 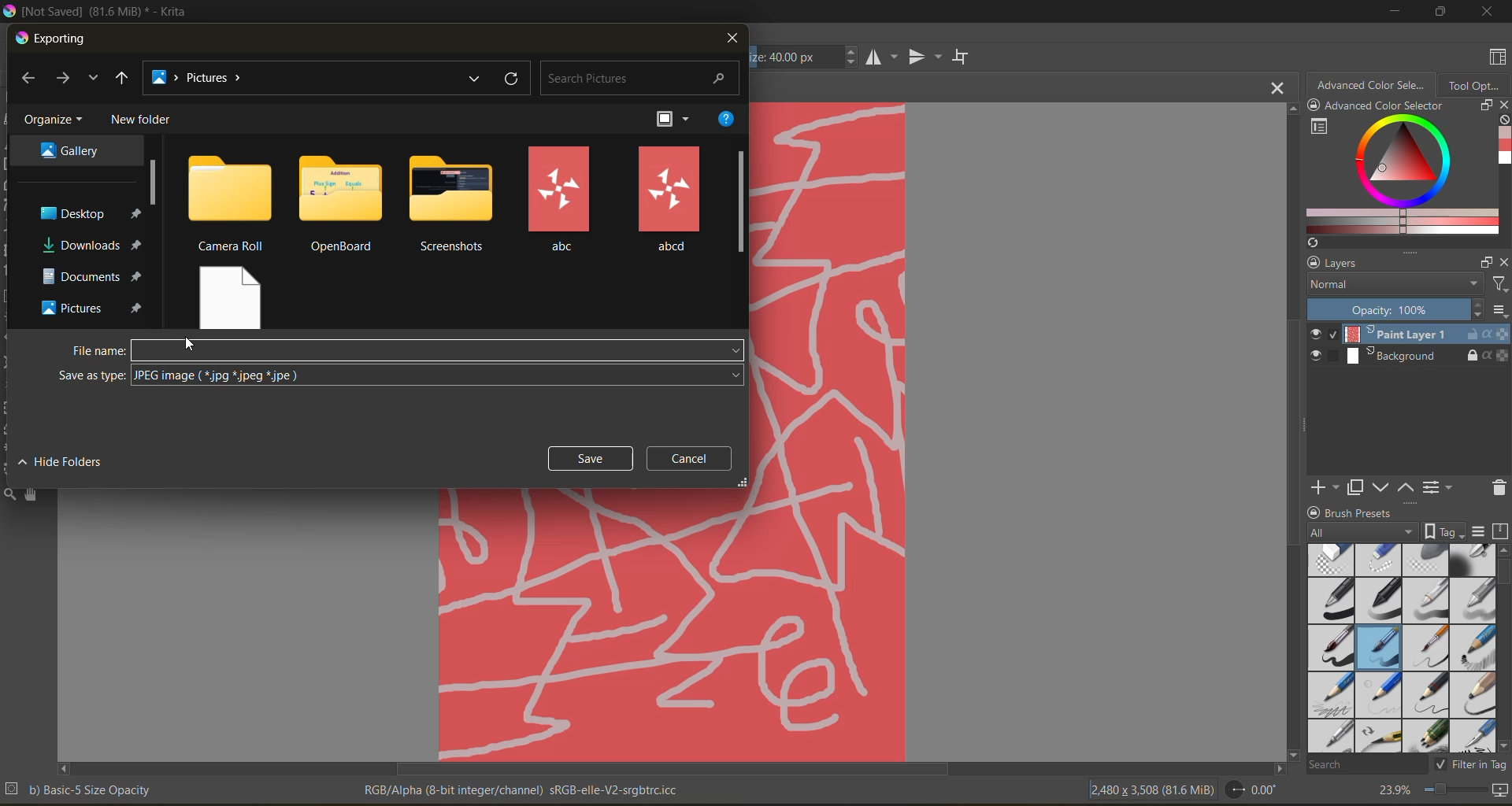 What do you see at coordinates (524, 789) in the screenshot?
I see `metadata` at bounding box center [524, 789].